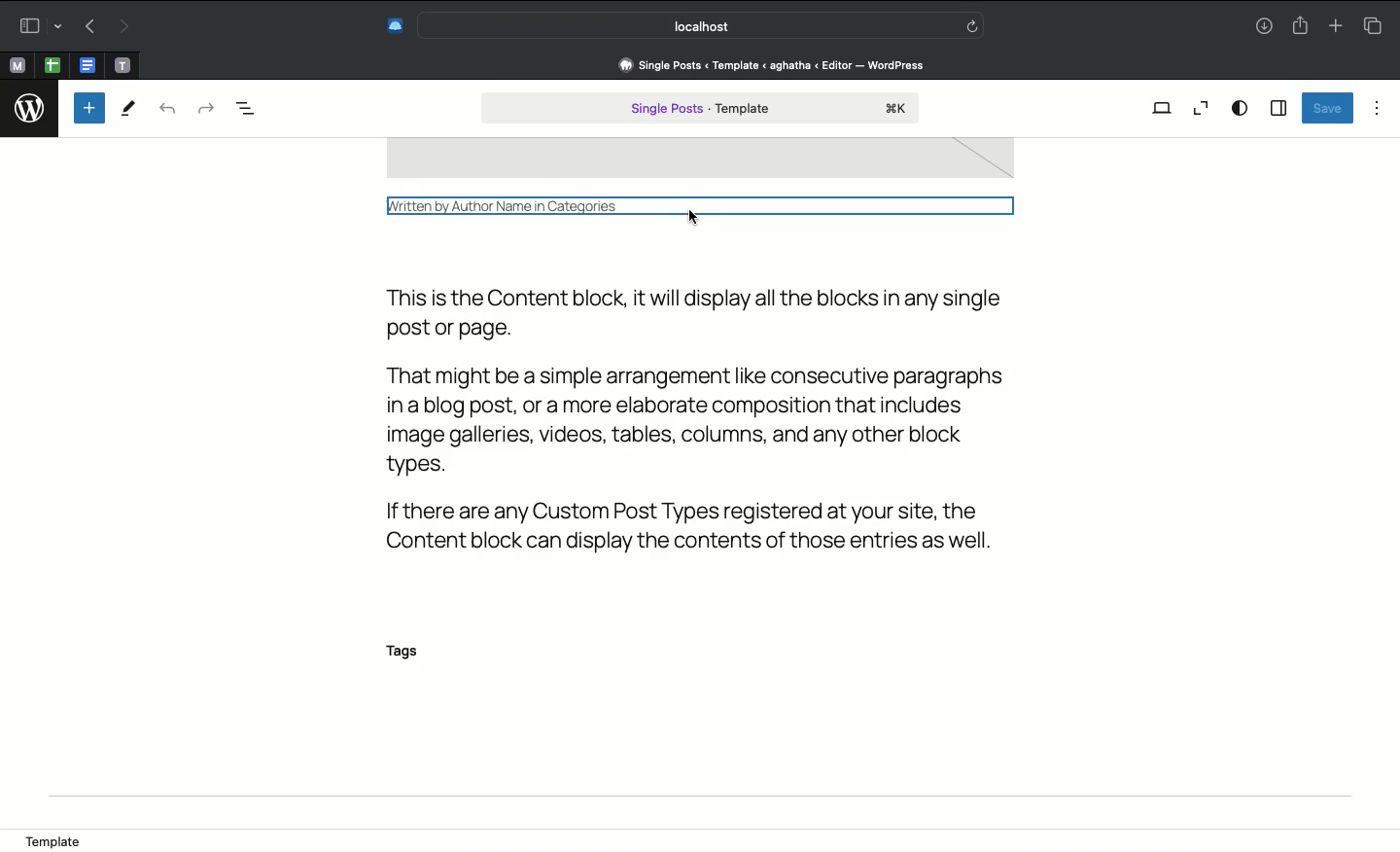  I want to click on Extensions, so click(393, 25).